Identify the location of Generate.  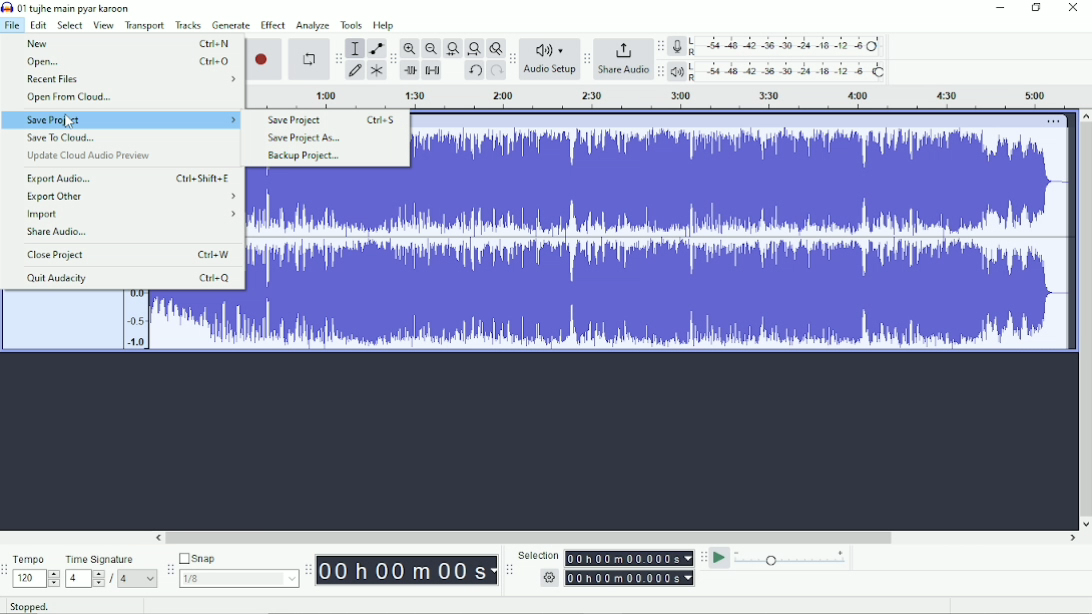
(232, 26).